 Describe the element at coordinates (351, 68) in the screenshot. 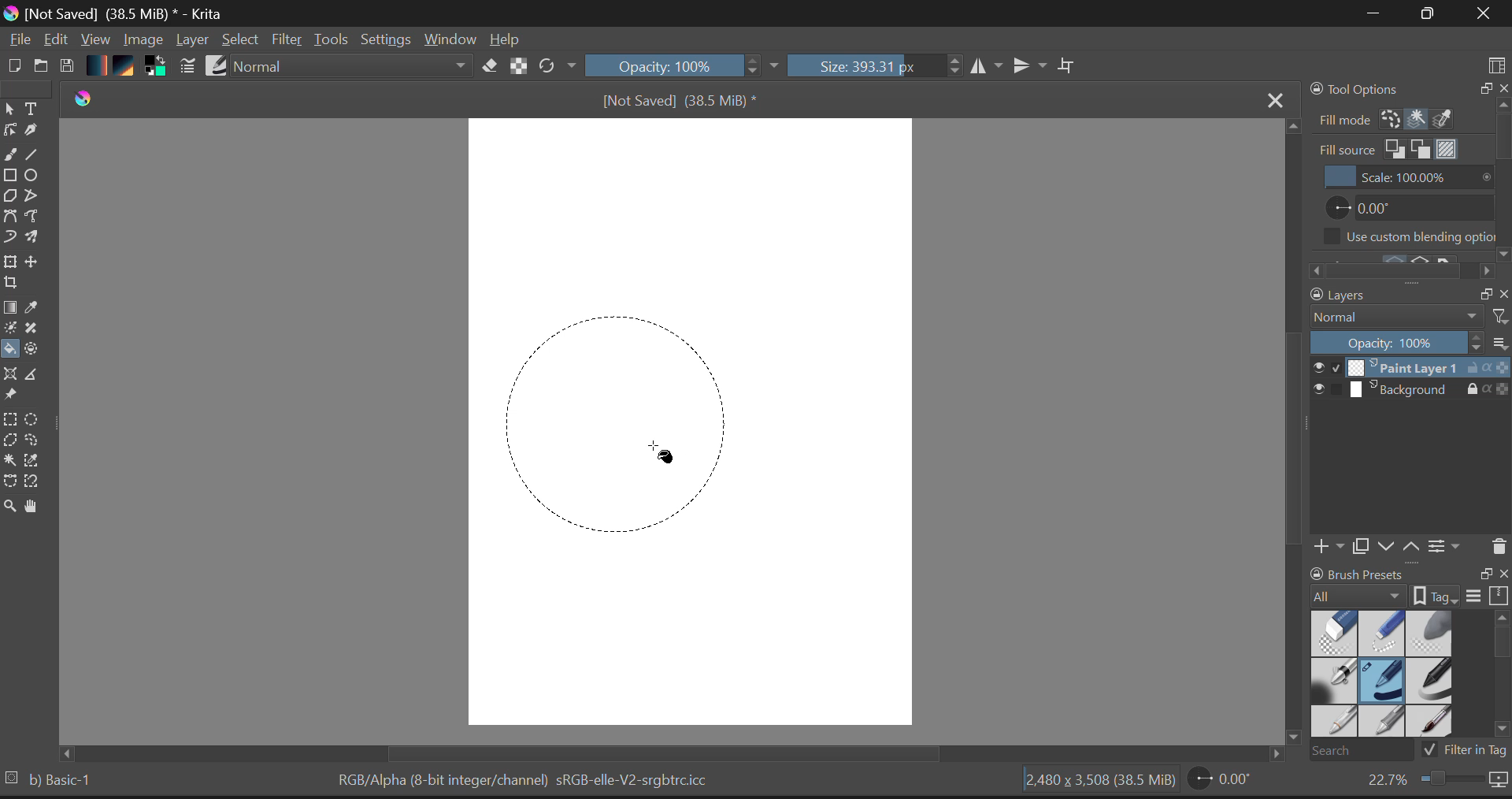

I see `Blending Mode` at that location.